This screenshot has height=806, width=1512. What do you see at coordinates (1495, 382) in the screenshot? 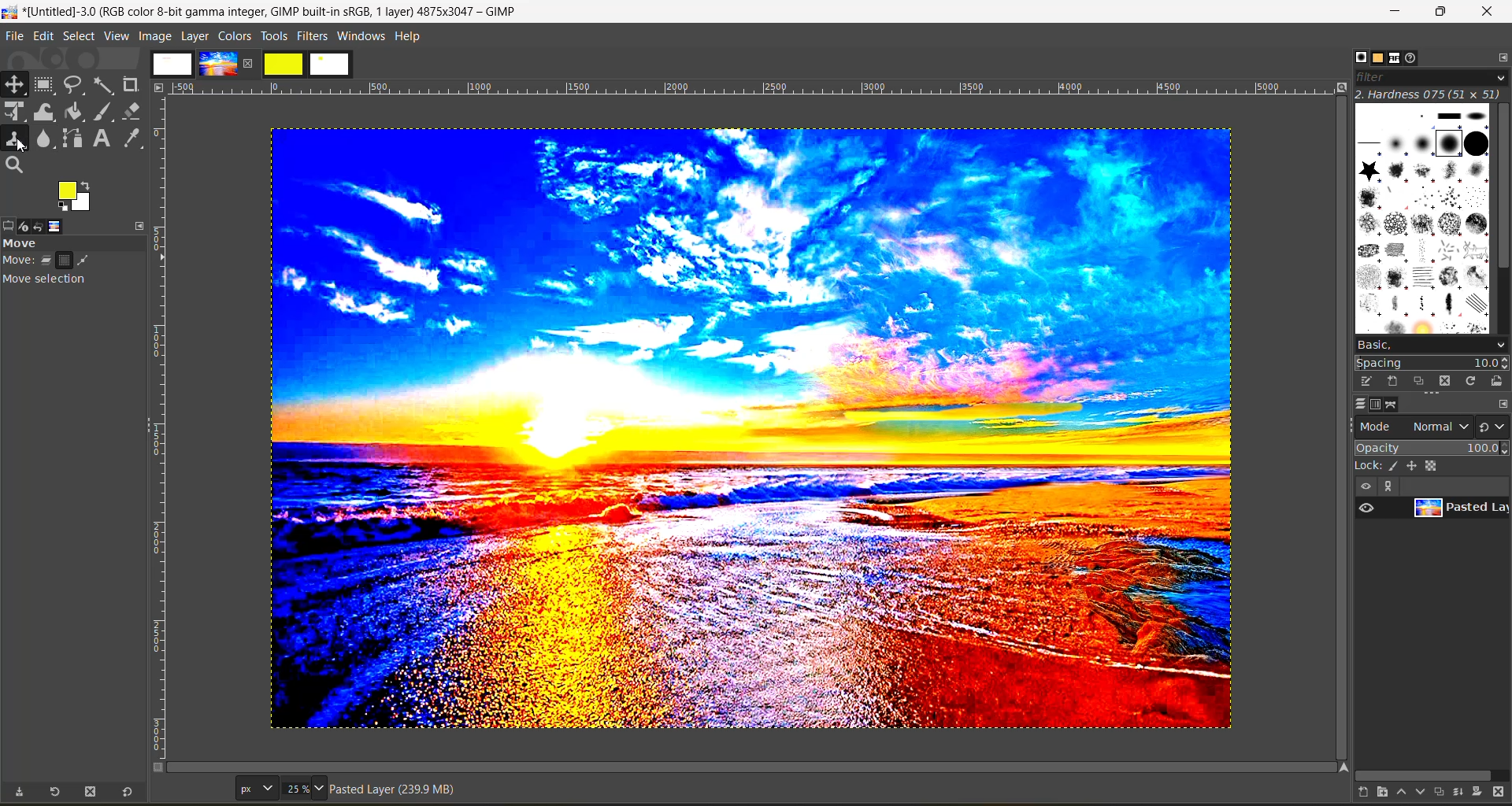
I see `open brush as image` at bounding box center [1495, 382].